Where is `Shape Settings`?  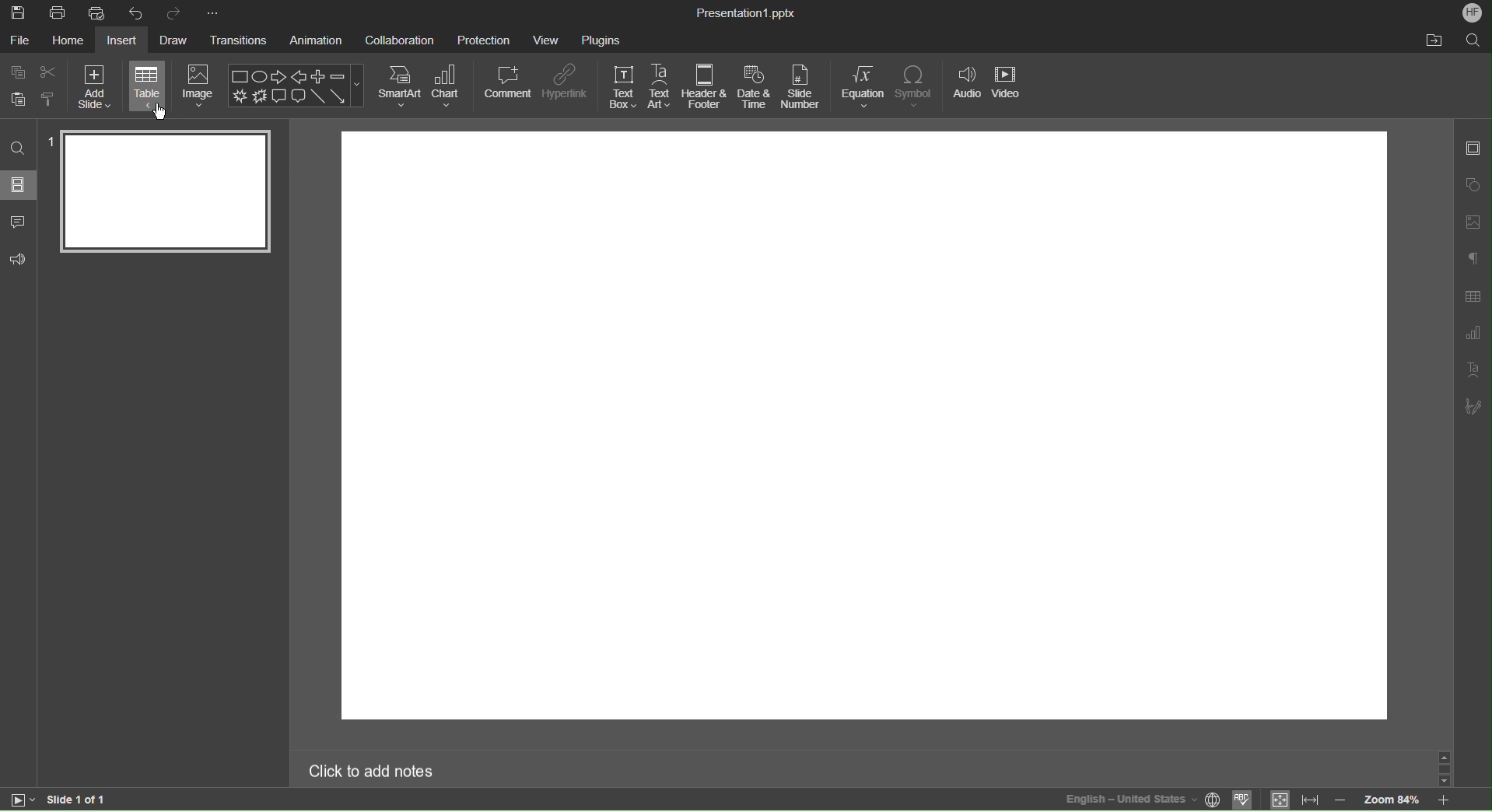
Shape Settings is located at coordinates (1473, 181).